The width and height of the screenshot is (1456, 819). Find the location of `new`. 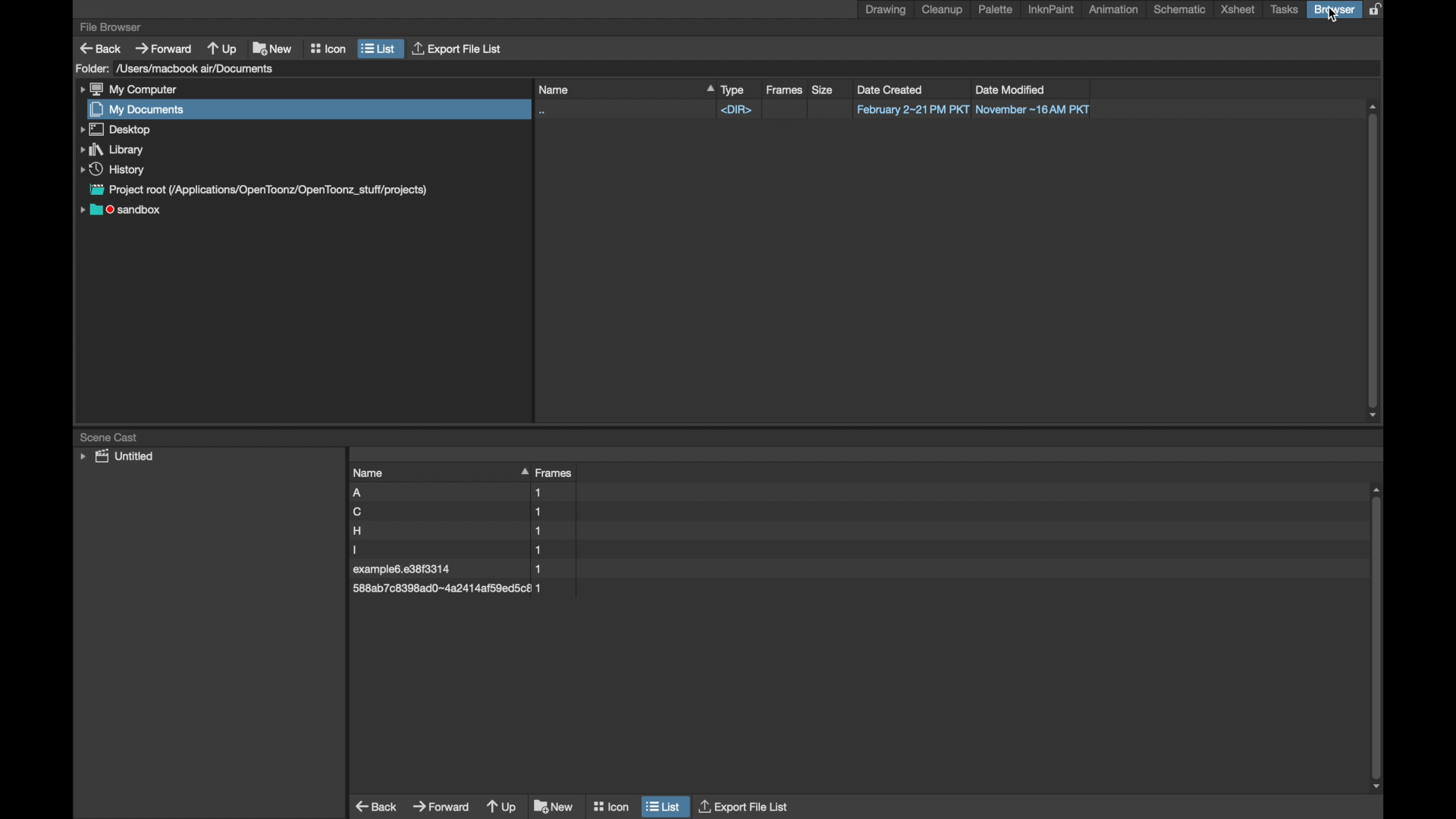

new is located at coordinates (273, 48).